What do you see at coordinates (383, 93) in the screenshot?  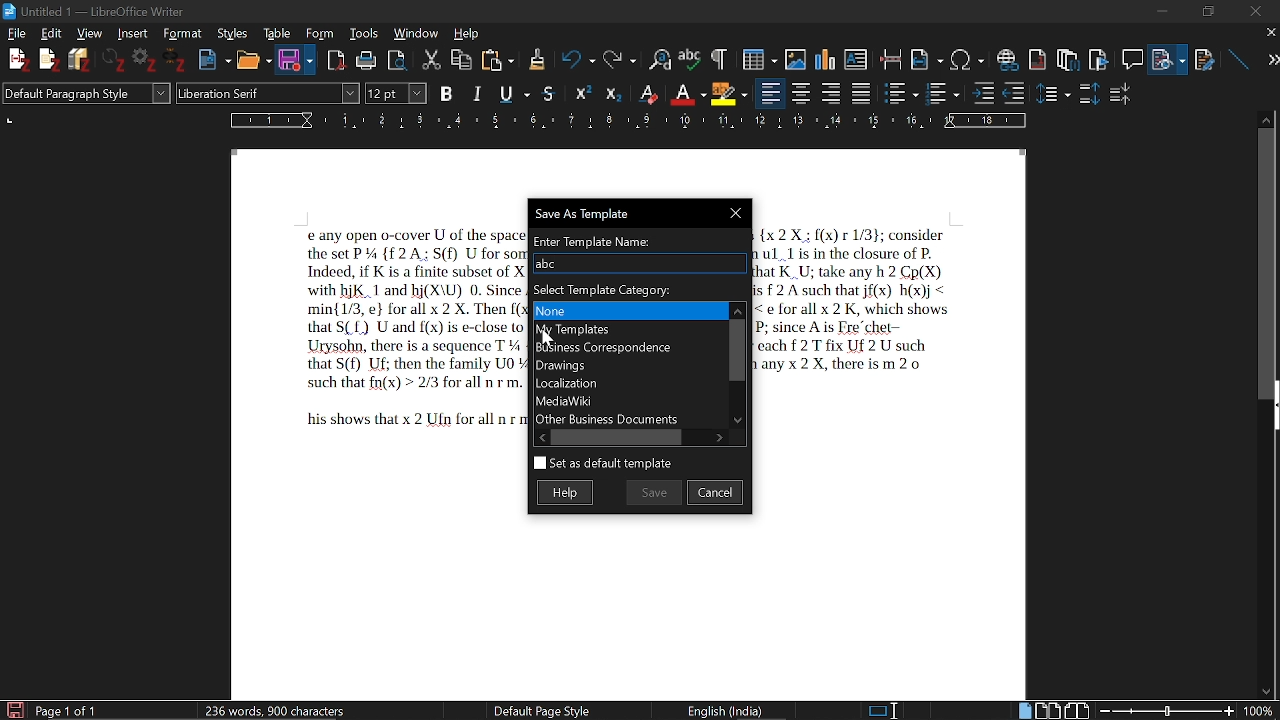 I see `Font Size` at bounding box center [383, 93].